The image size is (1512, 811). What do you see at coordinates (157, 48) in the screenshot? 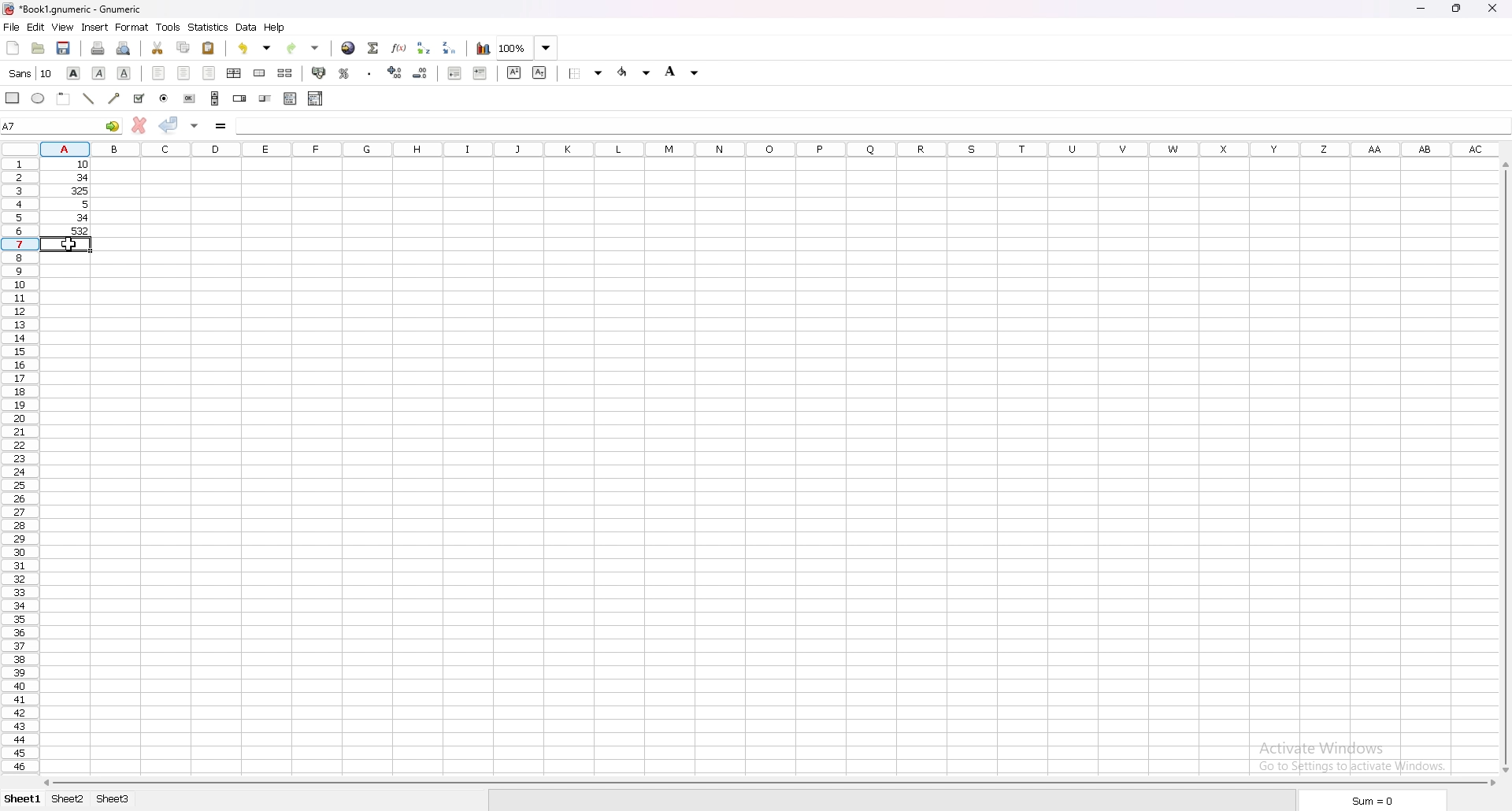
I see `cut` at bounding box center [157, 48].